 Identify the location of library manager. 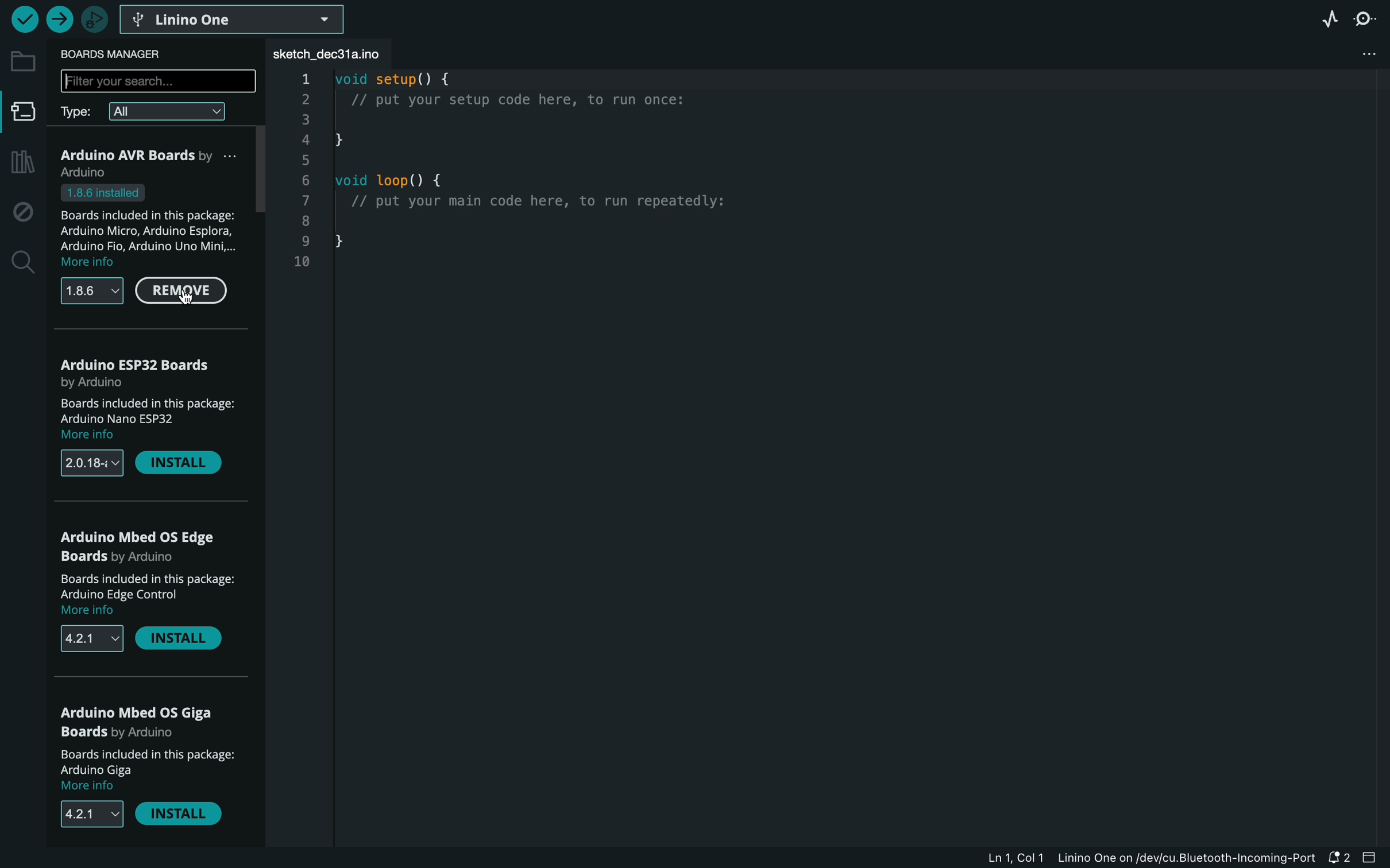
(22, 163).